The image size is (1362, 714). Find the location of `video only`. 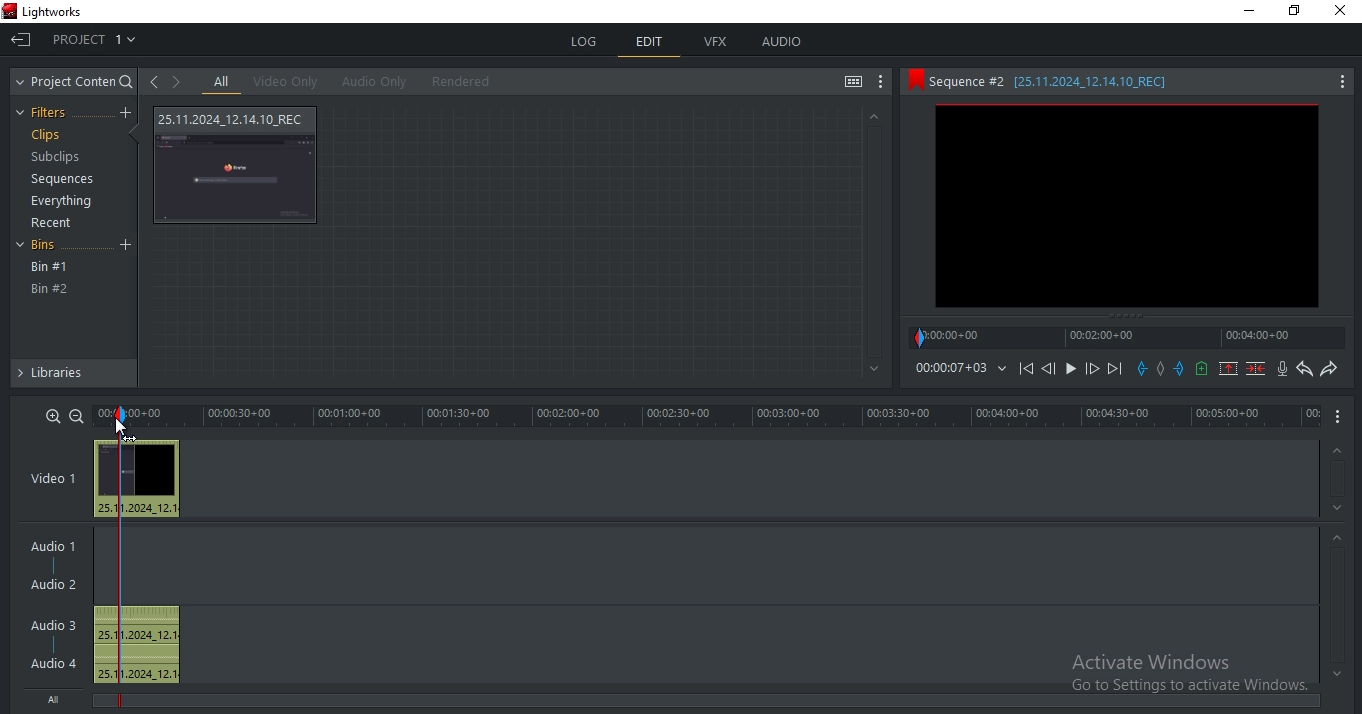

video only is located at coordinates (285, 82).